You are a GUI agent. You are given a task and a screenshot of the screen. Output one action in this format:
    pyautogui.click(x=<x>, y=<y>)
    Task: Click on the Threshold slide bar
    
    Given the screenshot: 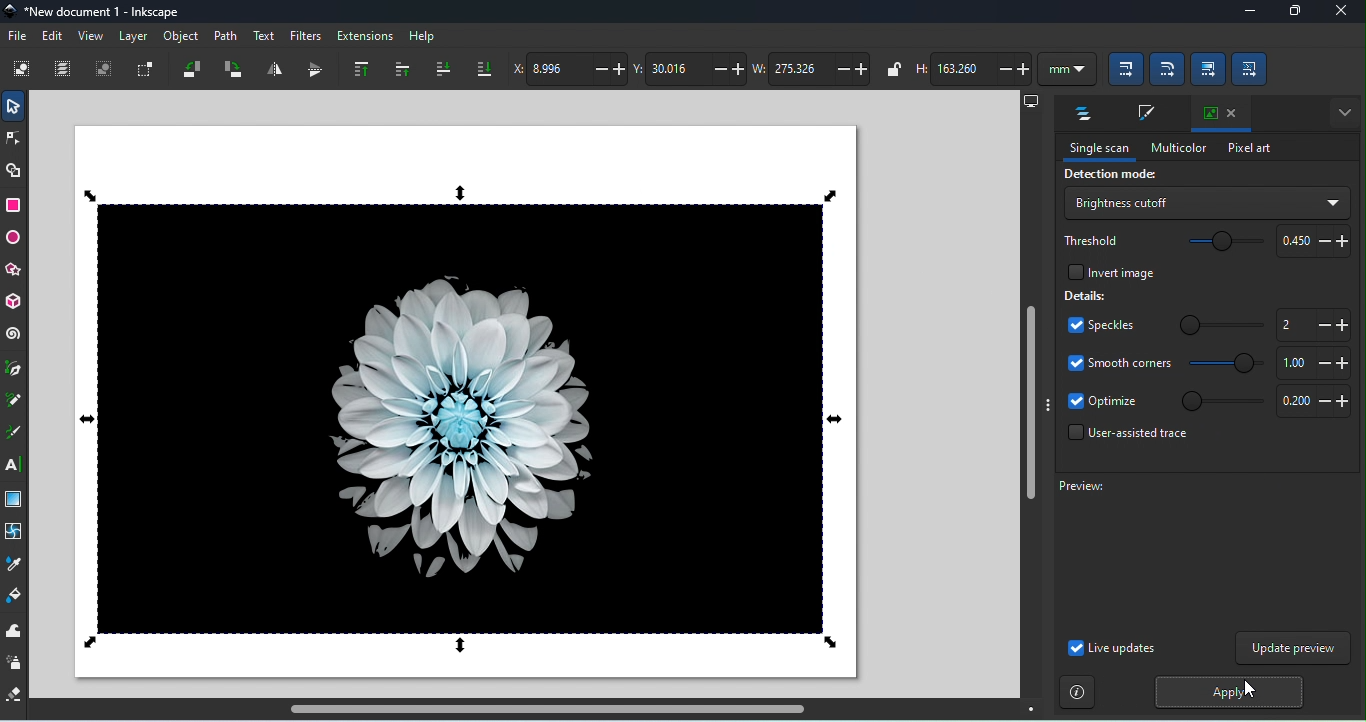 What is the action you would take?
    pyautogui.click(x=1219, y=242)
    